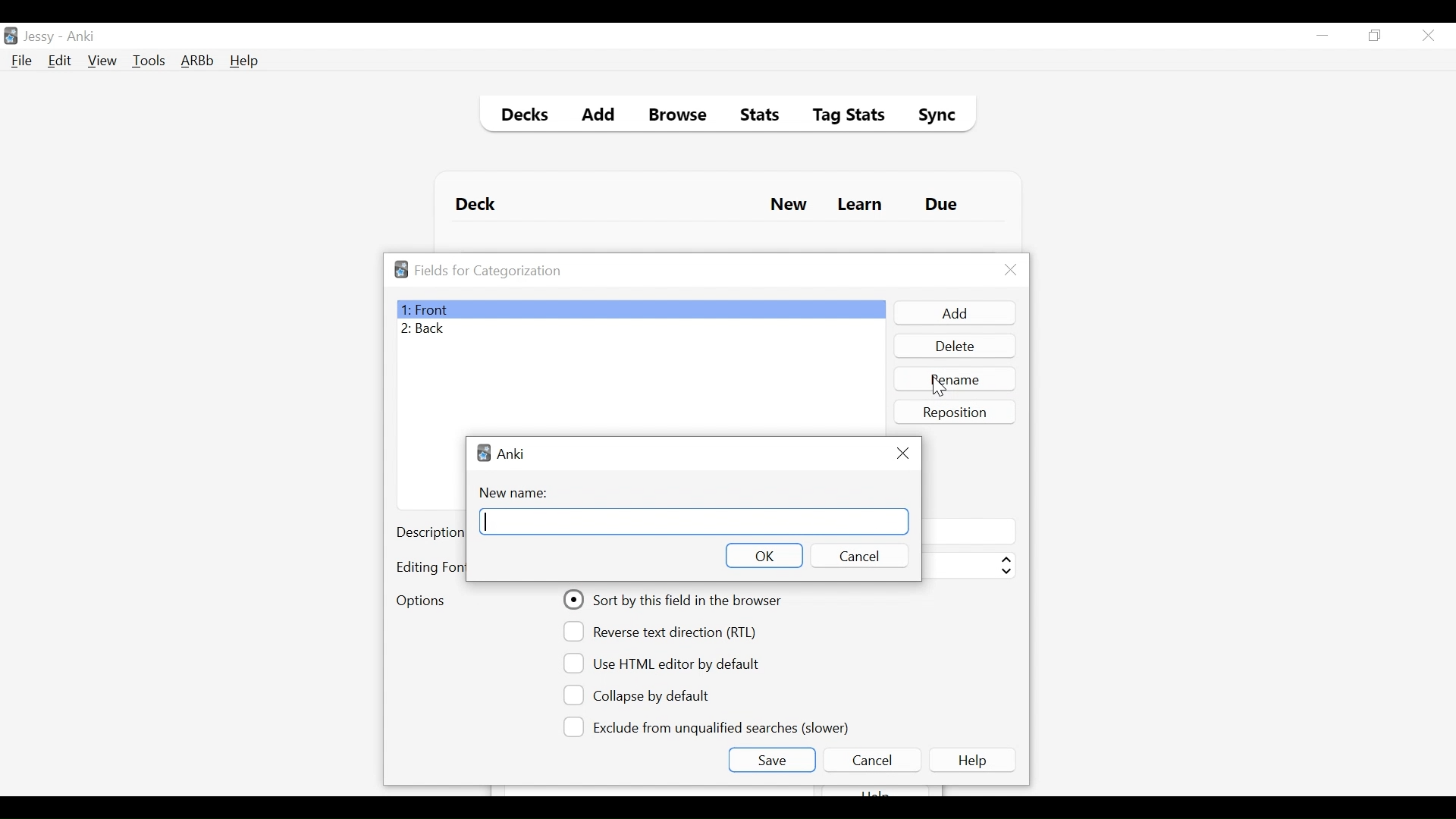  What do you see at coordinates (521, 117) in the screenshot?
I see `Decks` at bounding box center [521, 117].